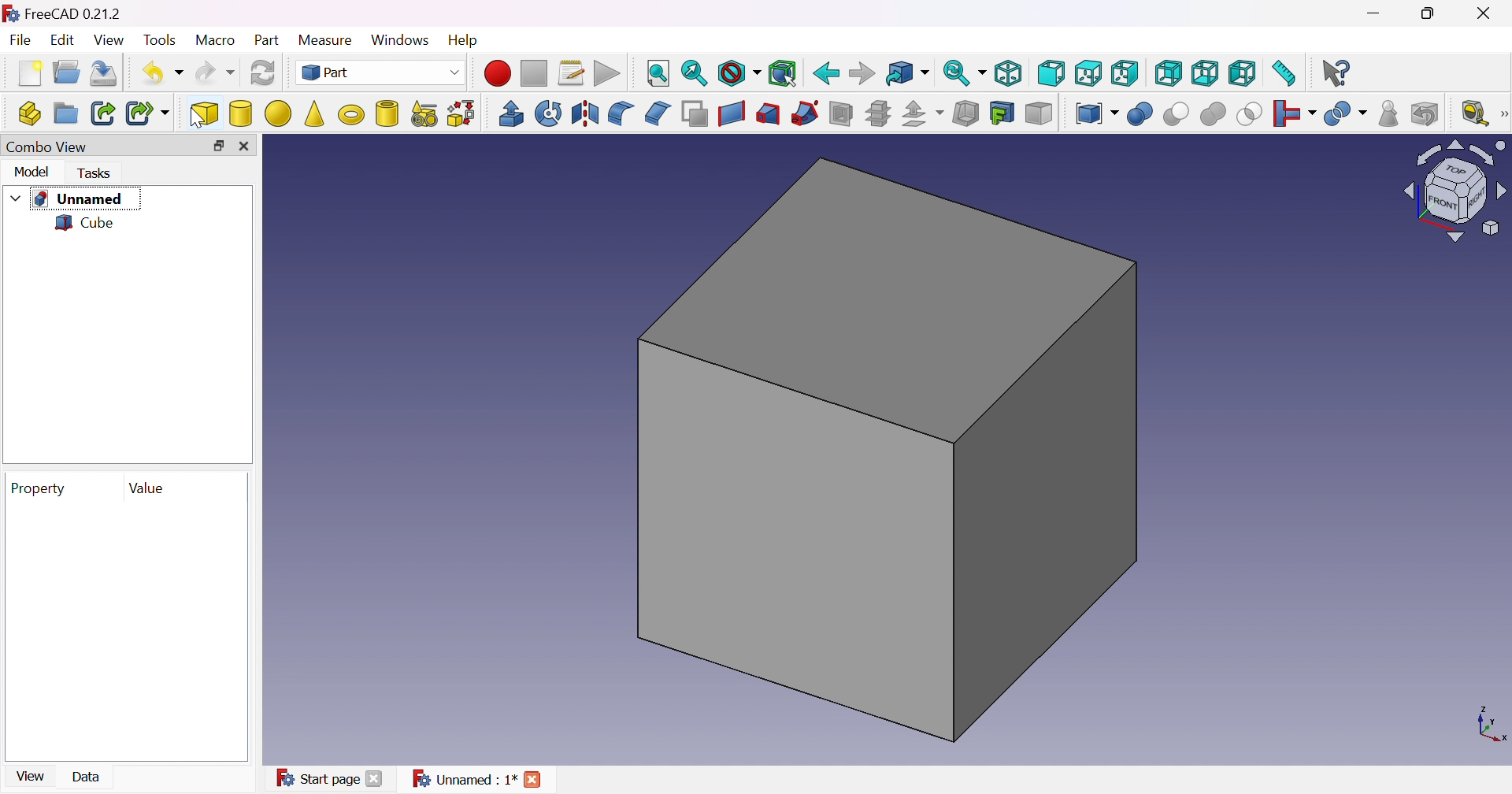 This screenshot has width=1512, height=794. Describe the element at coordinates (1242, 74) in the screenshot. I see `Left` at that location.